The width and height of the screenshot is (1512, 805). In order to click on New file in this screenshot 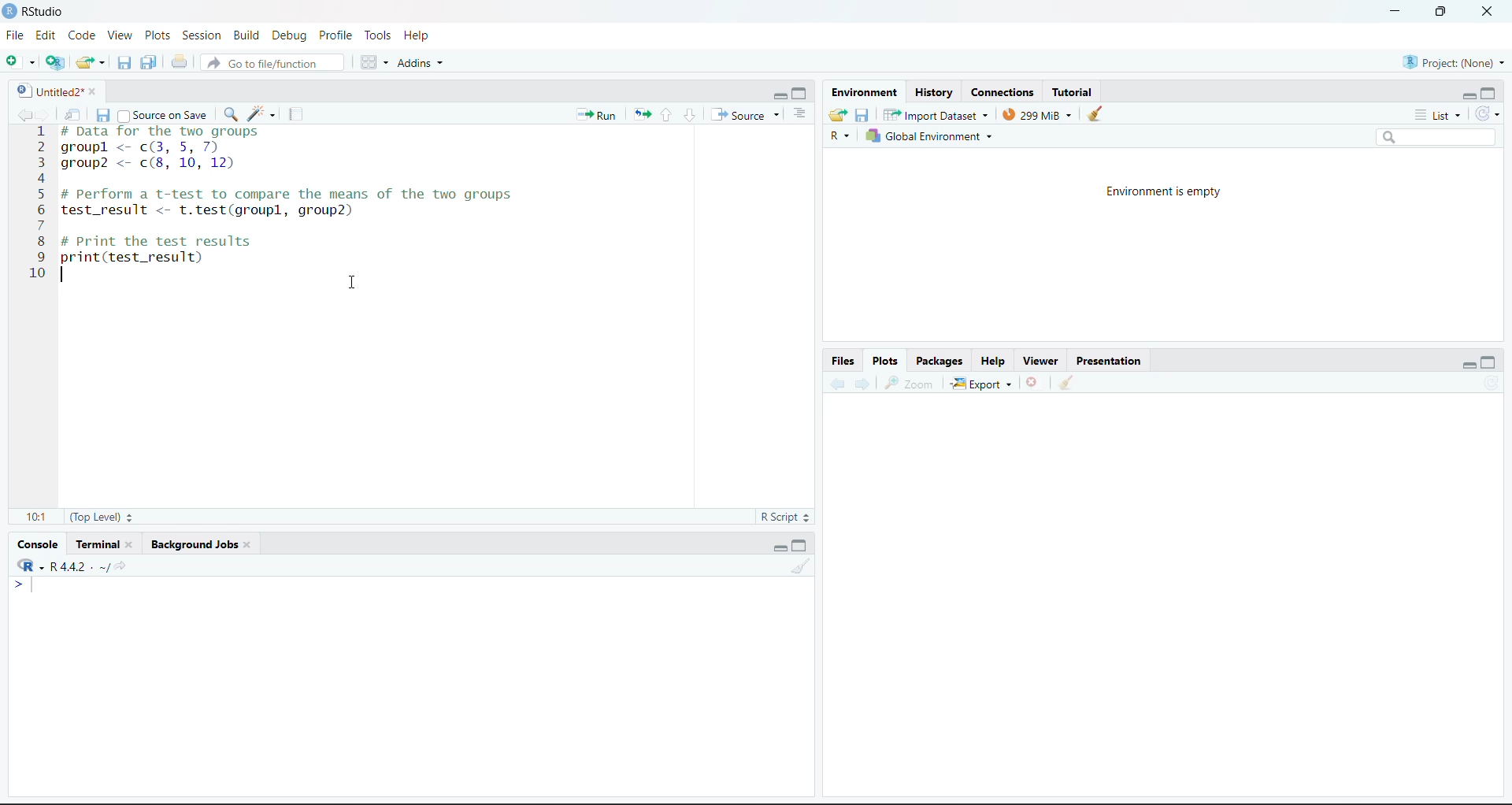, I will do `click(20, 63)`.